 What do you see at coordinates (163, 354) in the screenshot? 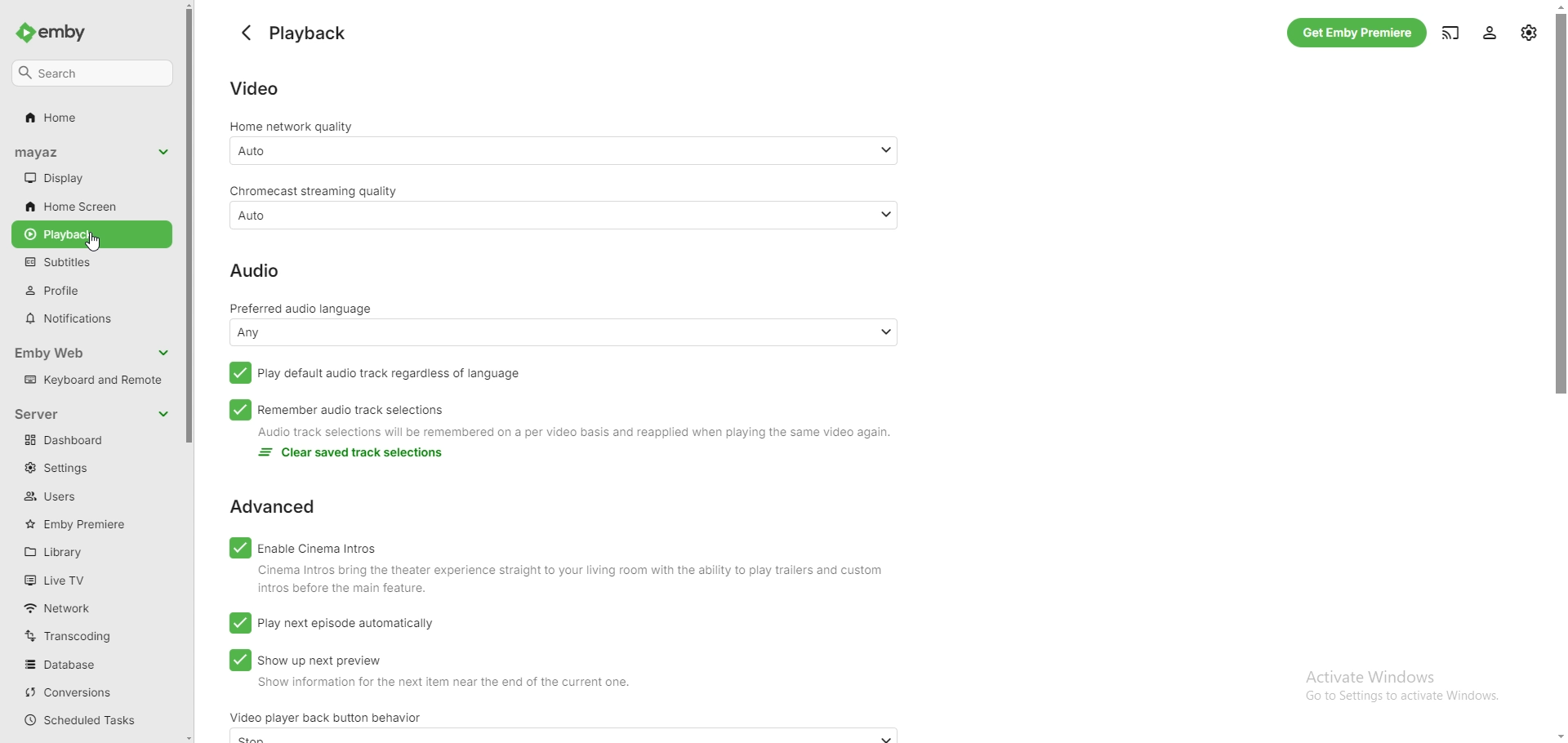
I see `collapse` at bounding box center [163, 354].